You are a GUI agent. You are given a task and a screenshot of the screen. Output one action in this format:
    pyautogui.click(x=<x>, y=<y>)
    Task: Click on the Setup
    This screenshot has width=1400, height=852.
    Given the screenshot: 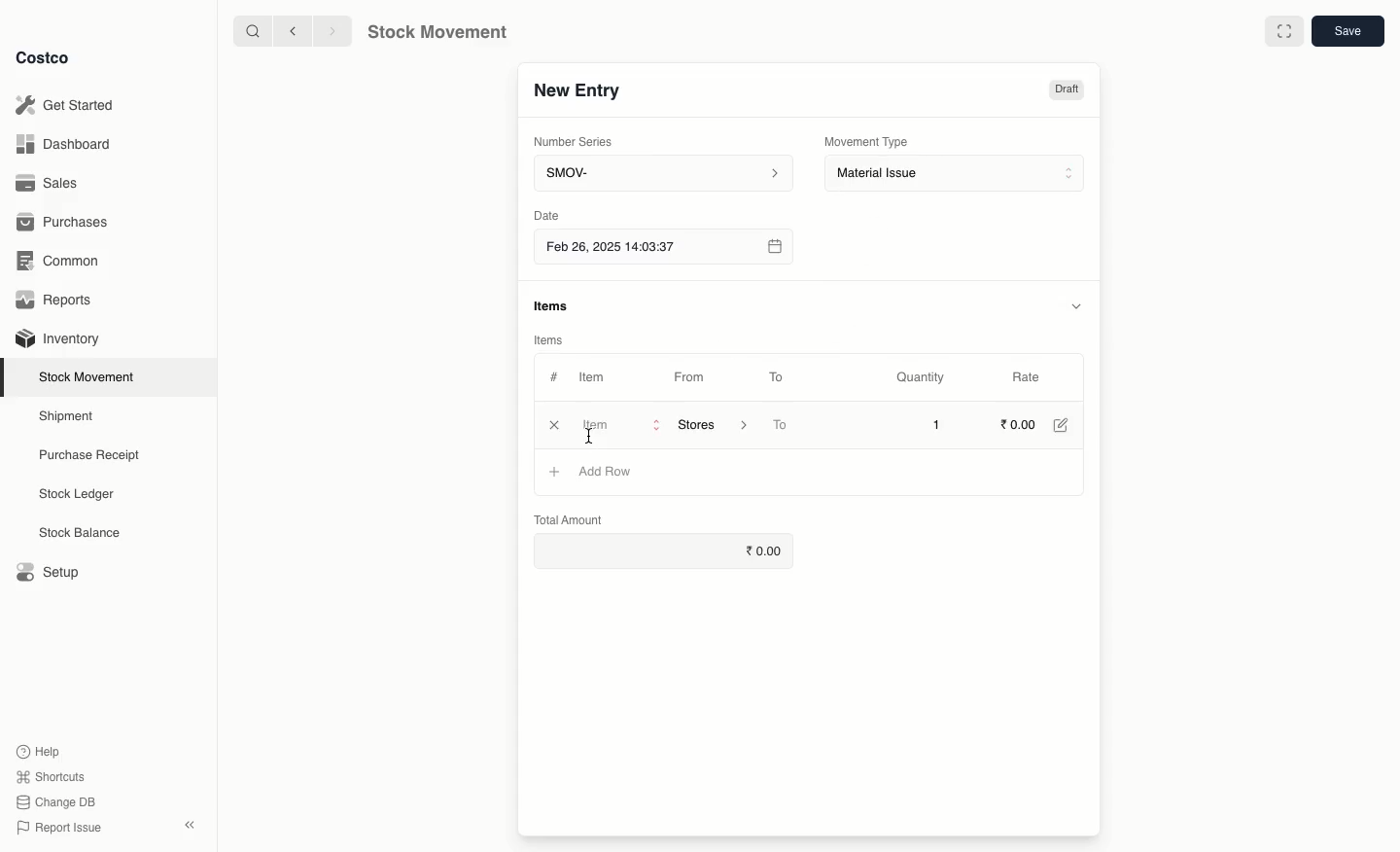 What is the action you would take?
    pyautogui.click(x=46, y=570)
    